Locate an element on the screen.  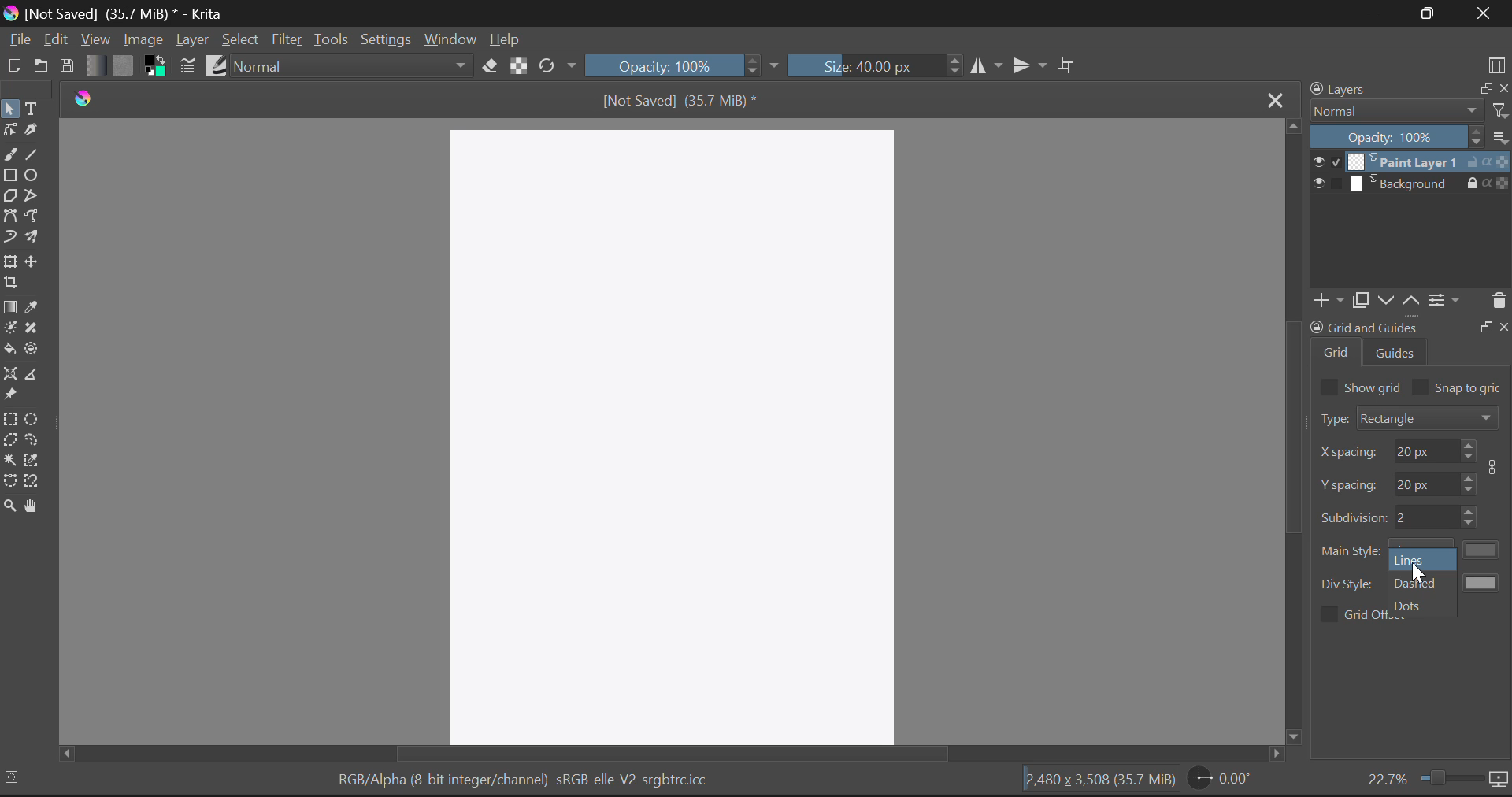
Zoom slider is located at coordinates (1449, 777).